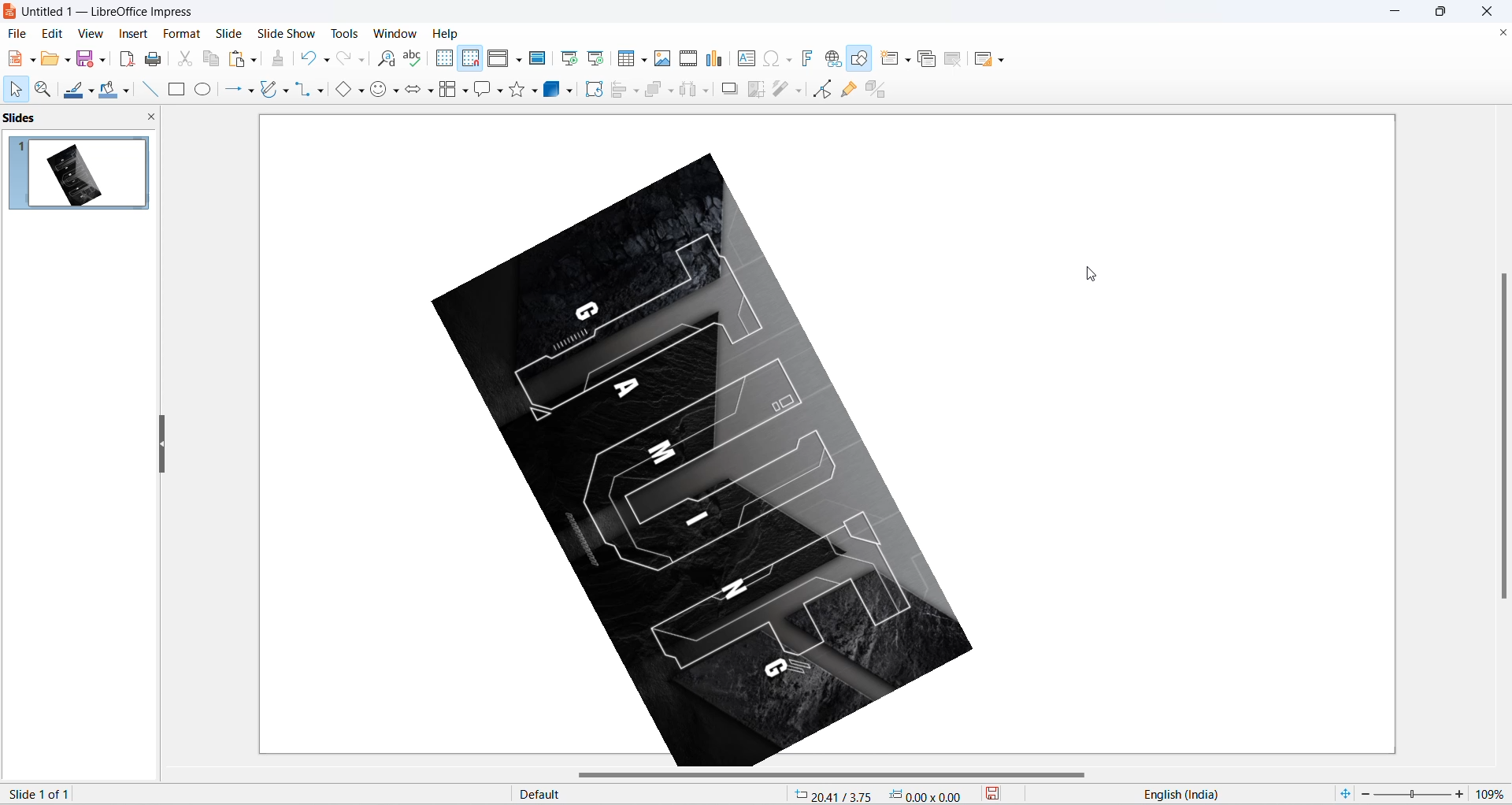  I want to click on duplicate slide, so click(927, 61).